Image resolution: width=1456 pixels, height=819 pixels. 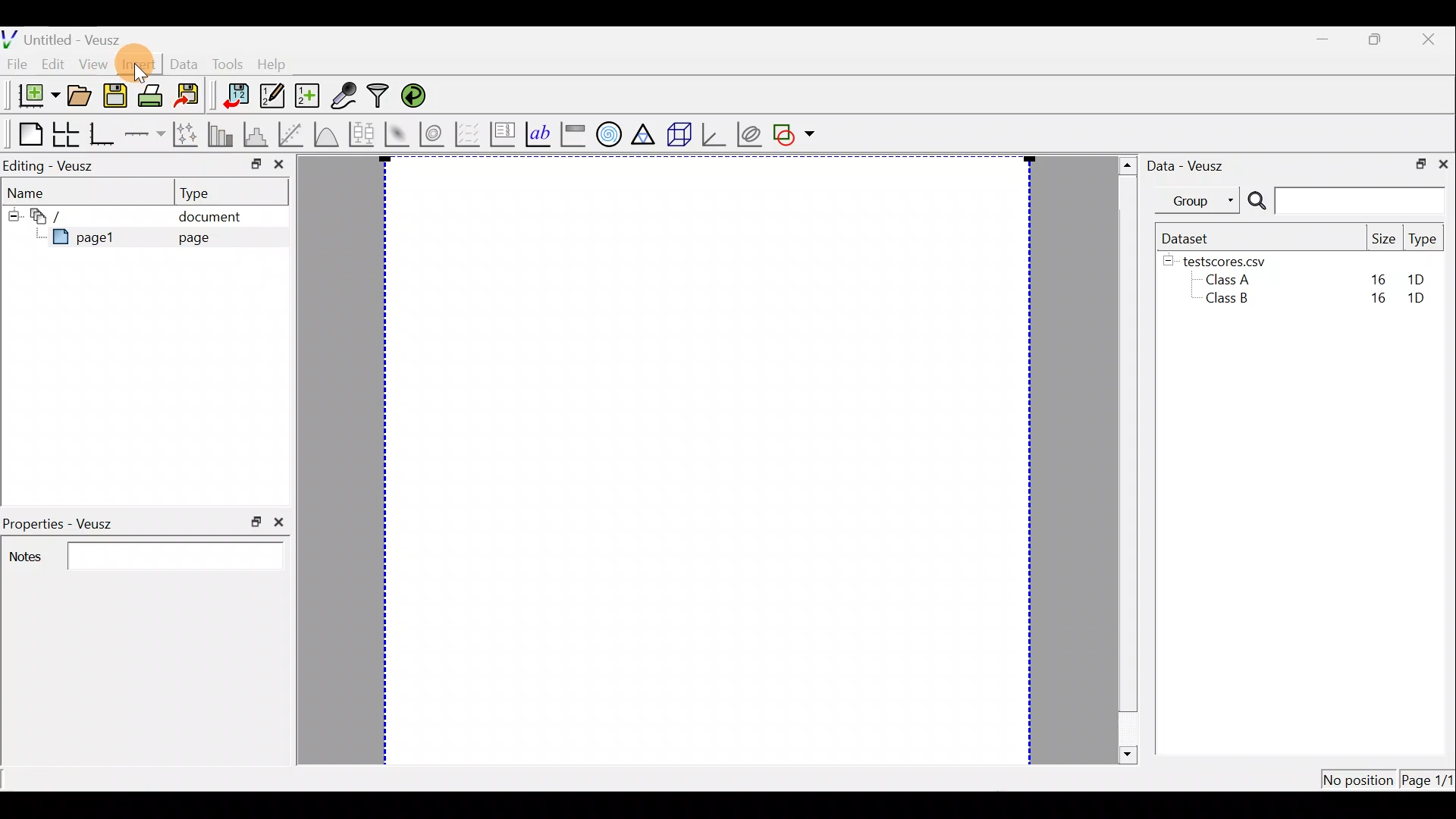 What do you see at coordinates (1346, 202) in the screenshot?
I see `Search bar` at bounding box center [1346, 202].